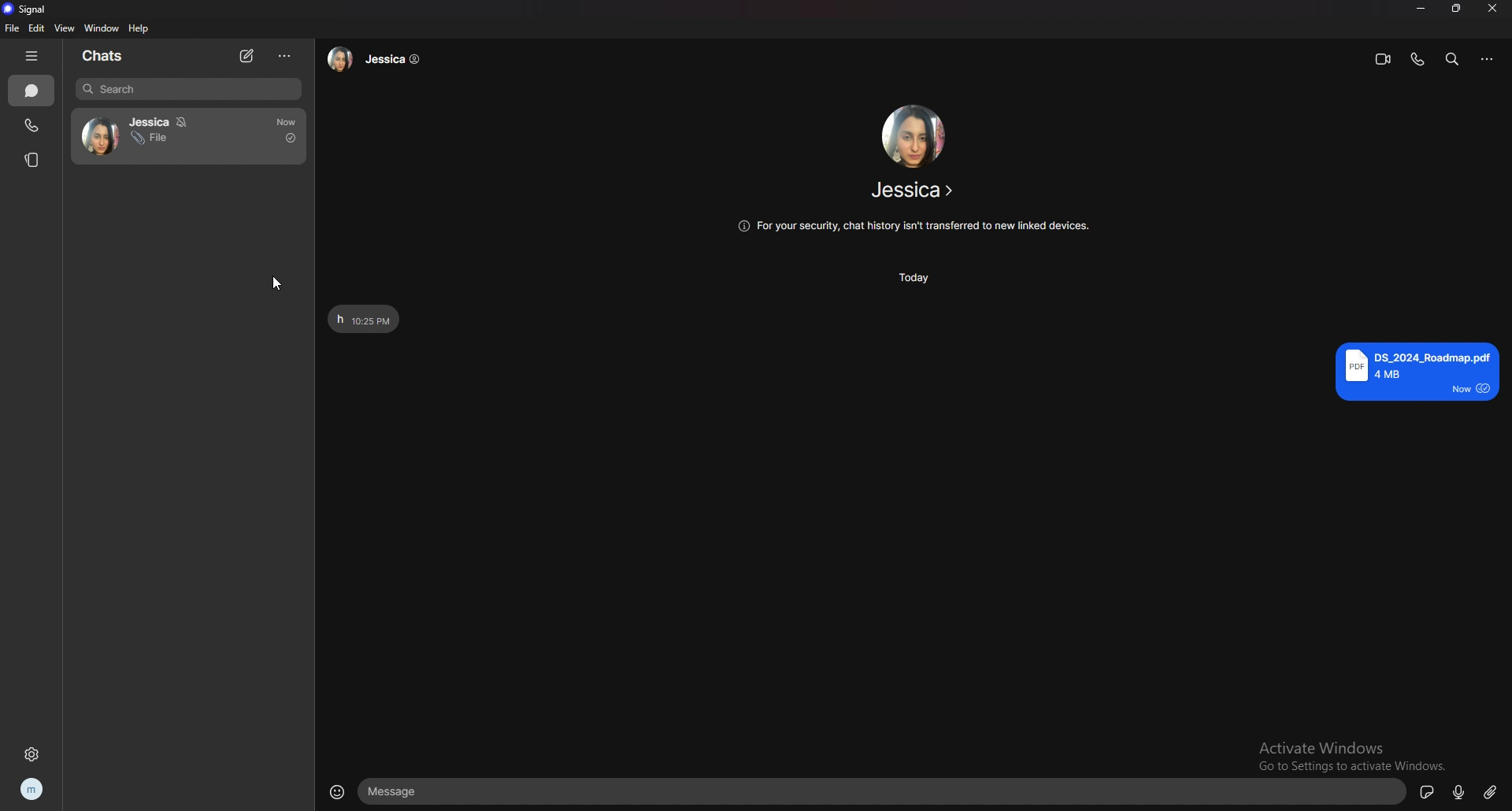  I want to click on video call, so click(1383, 59).